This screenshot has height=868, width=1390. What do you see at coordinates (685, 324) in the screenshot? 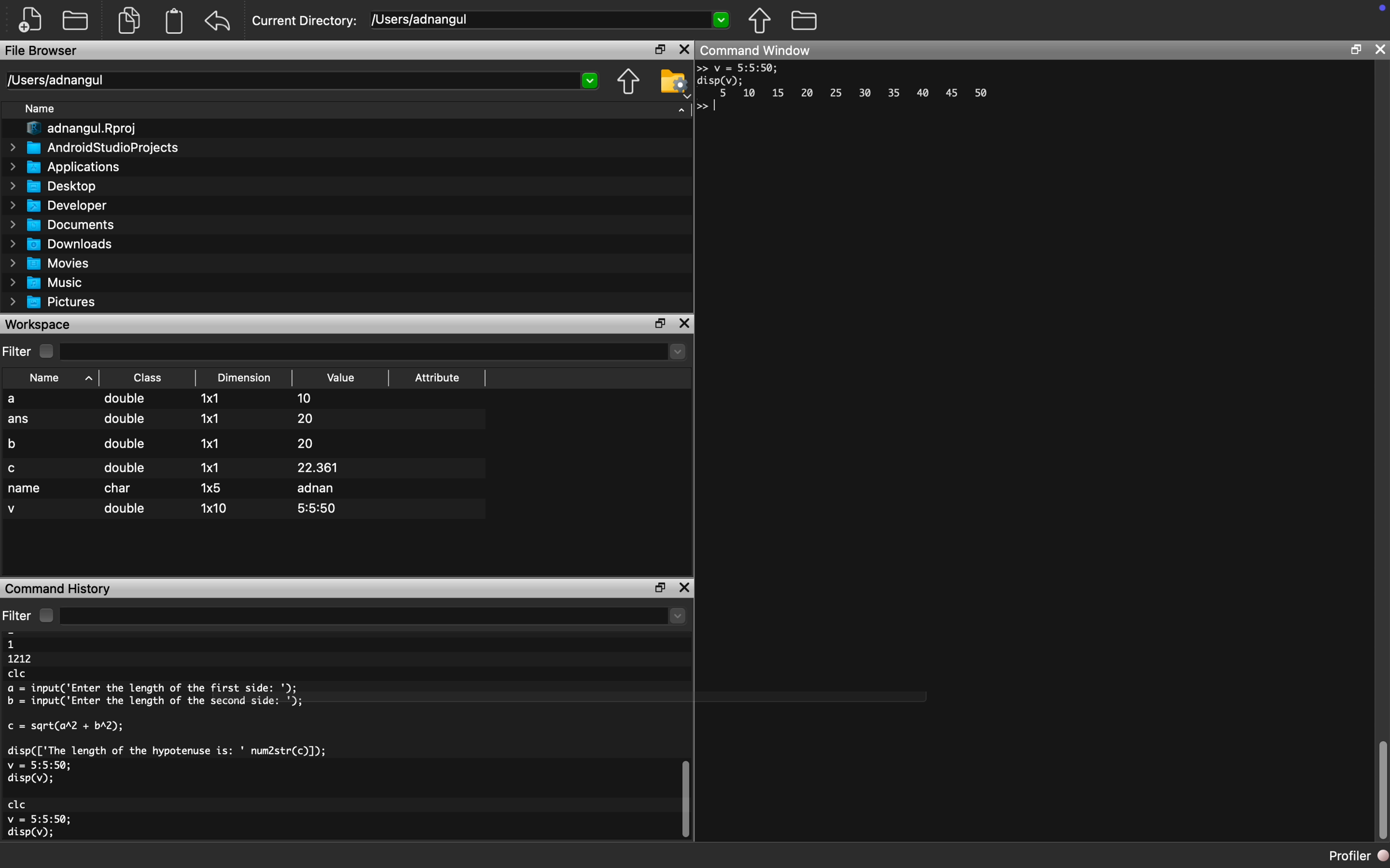
I see `close` at bounding box center [685, 324].